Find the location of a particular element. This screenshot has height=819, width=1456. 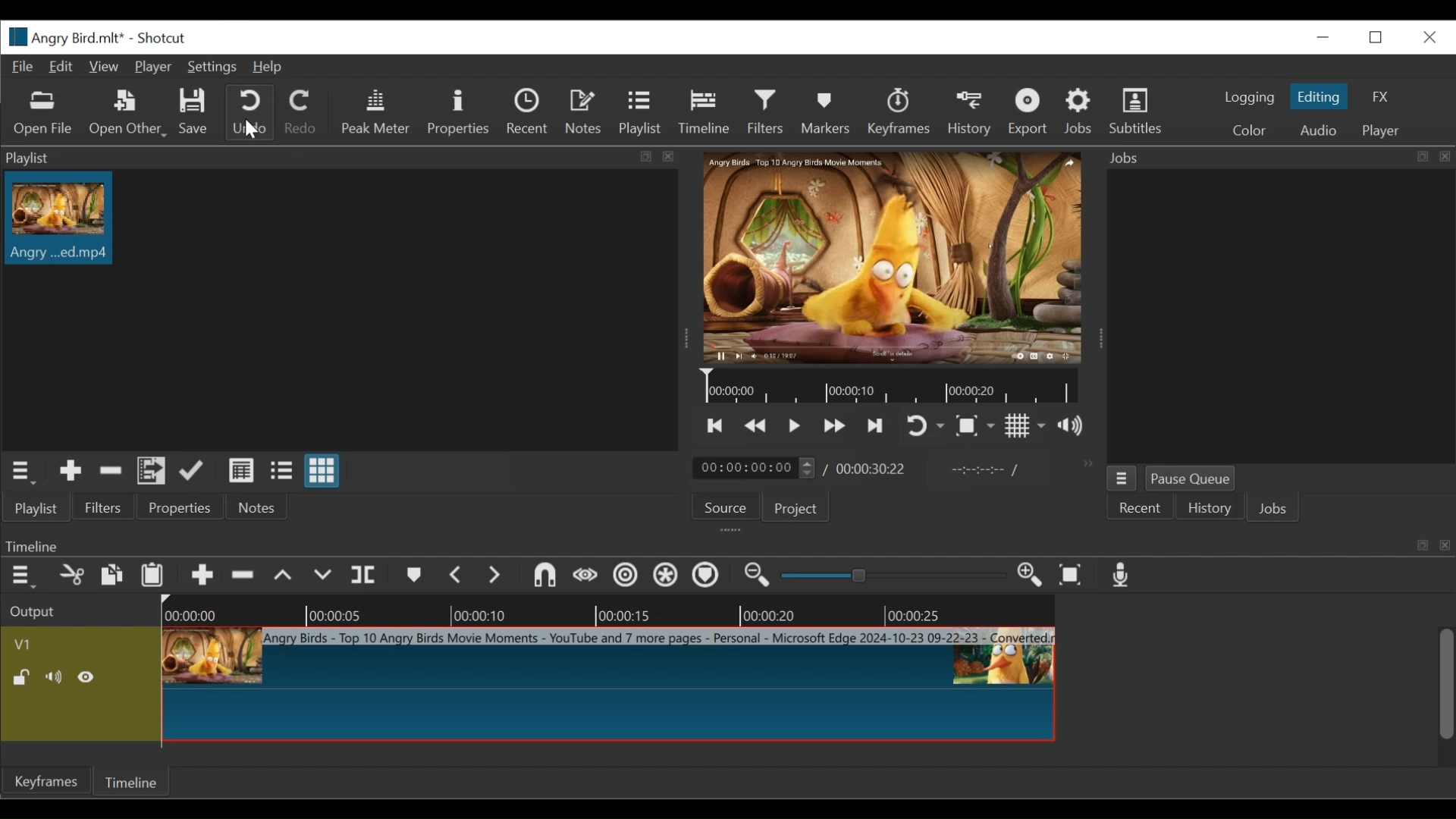

Timeline is located at coordinates (134, 780).